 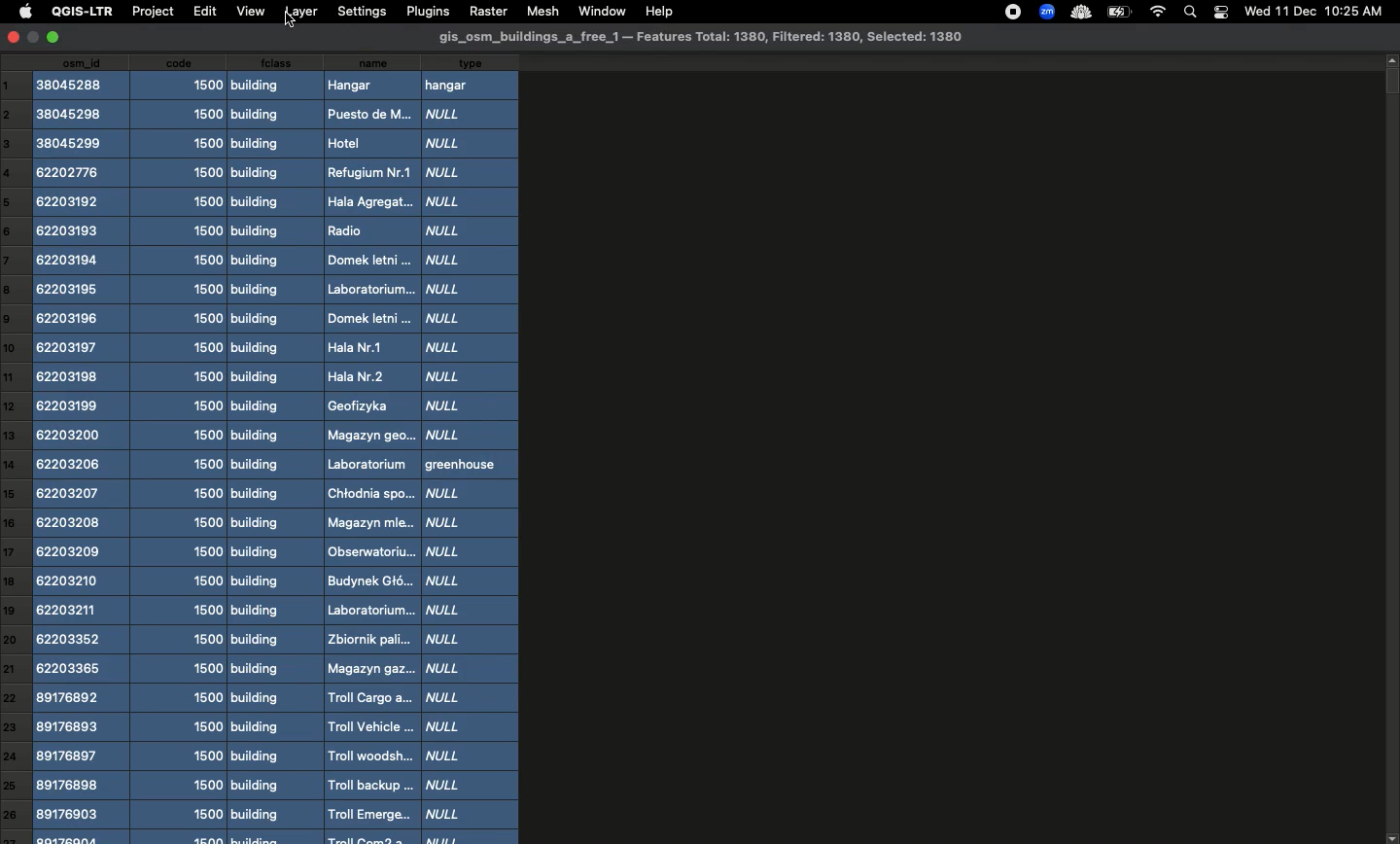 I want to click on Mesh, so click(x=540, y=11).